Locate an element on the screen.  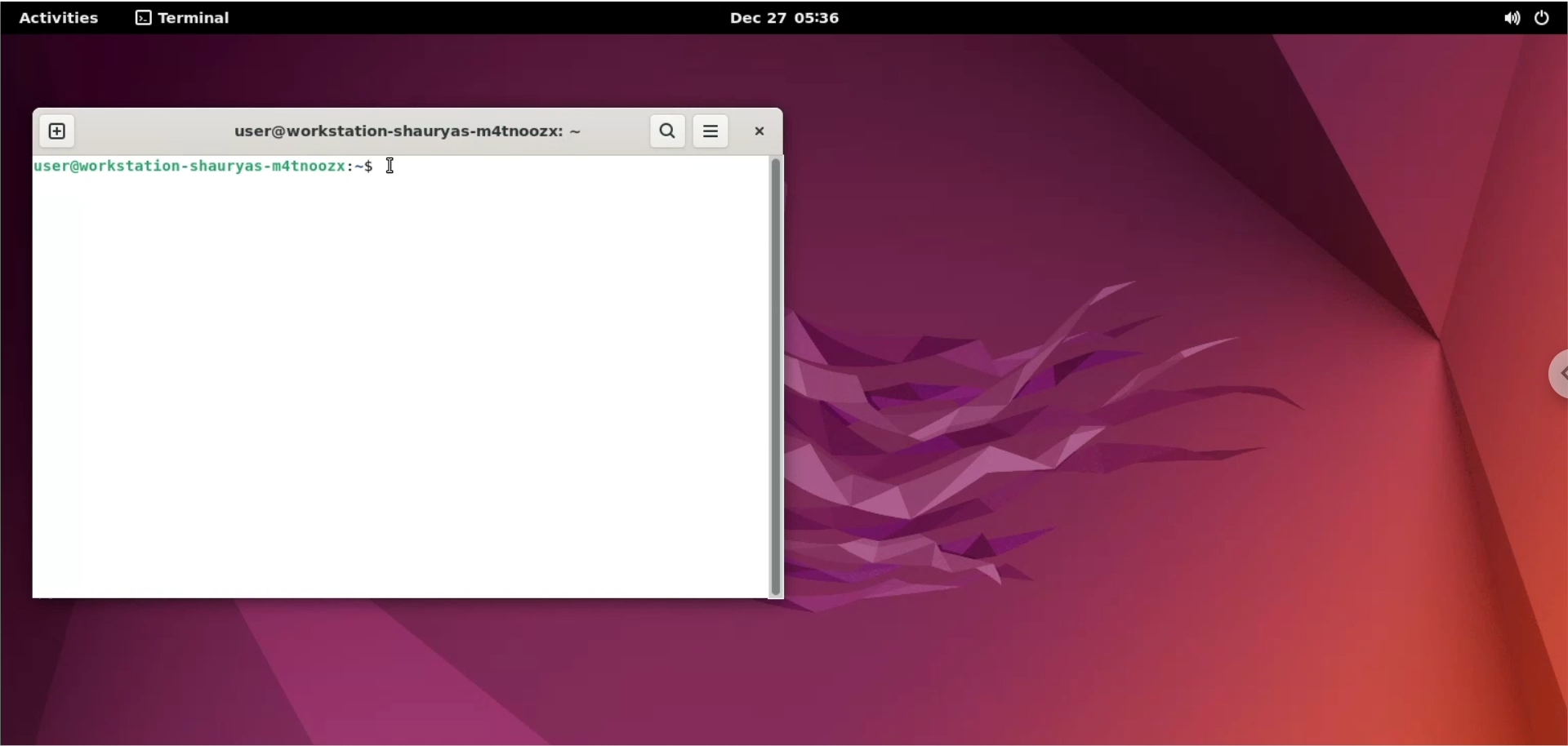
Activities is located at coordinates (60, 16).